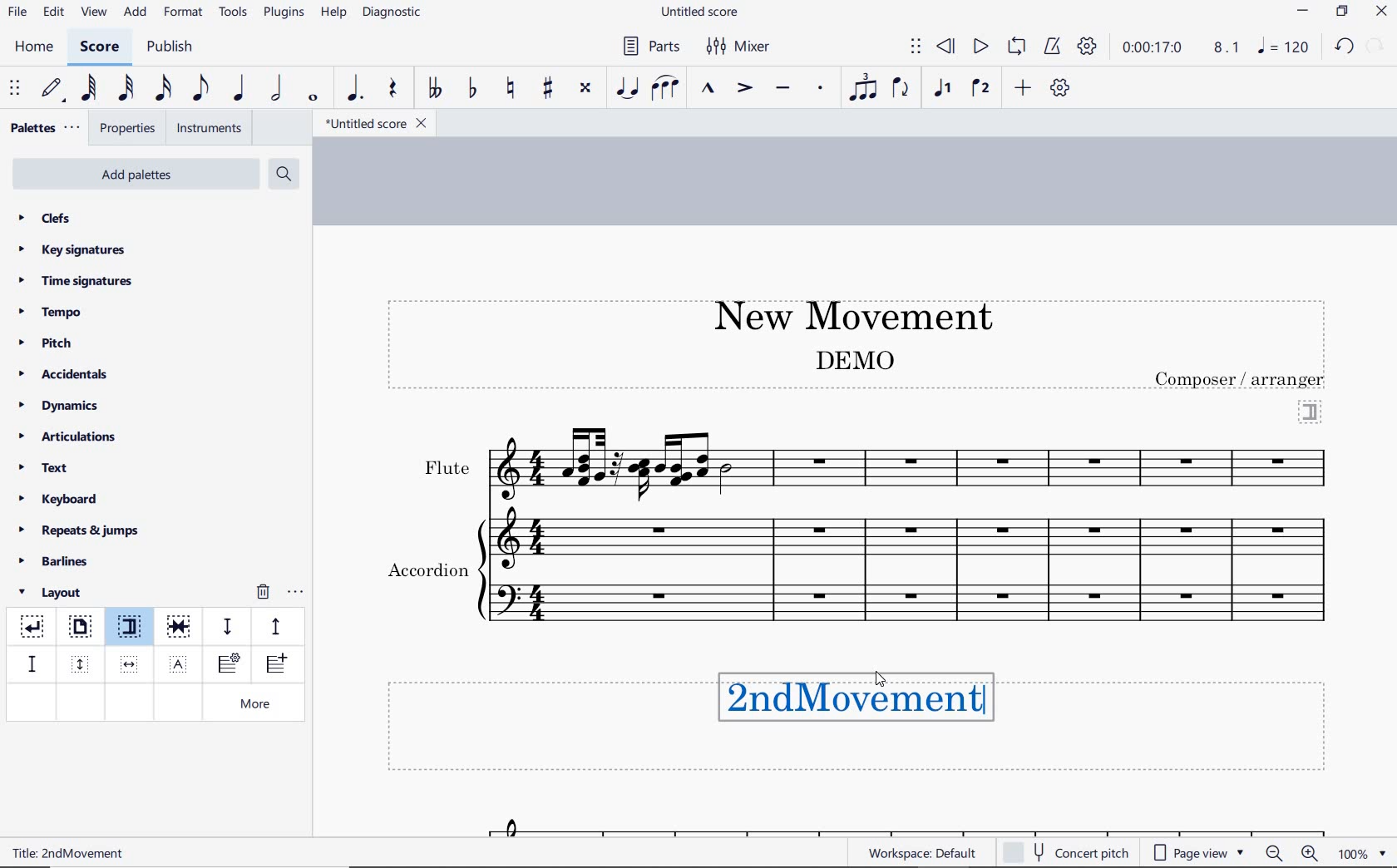 Image resolution: width=1397 pixels, height=868 pixels. I want to click on Instrument: Accordion, so click(912, 584).